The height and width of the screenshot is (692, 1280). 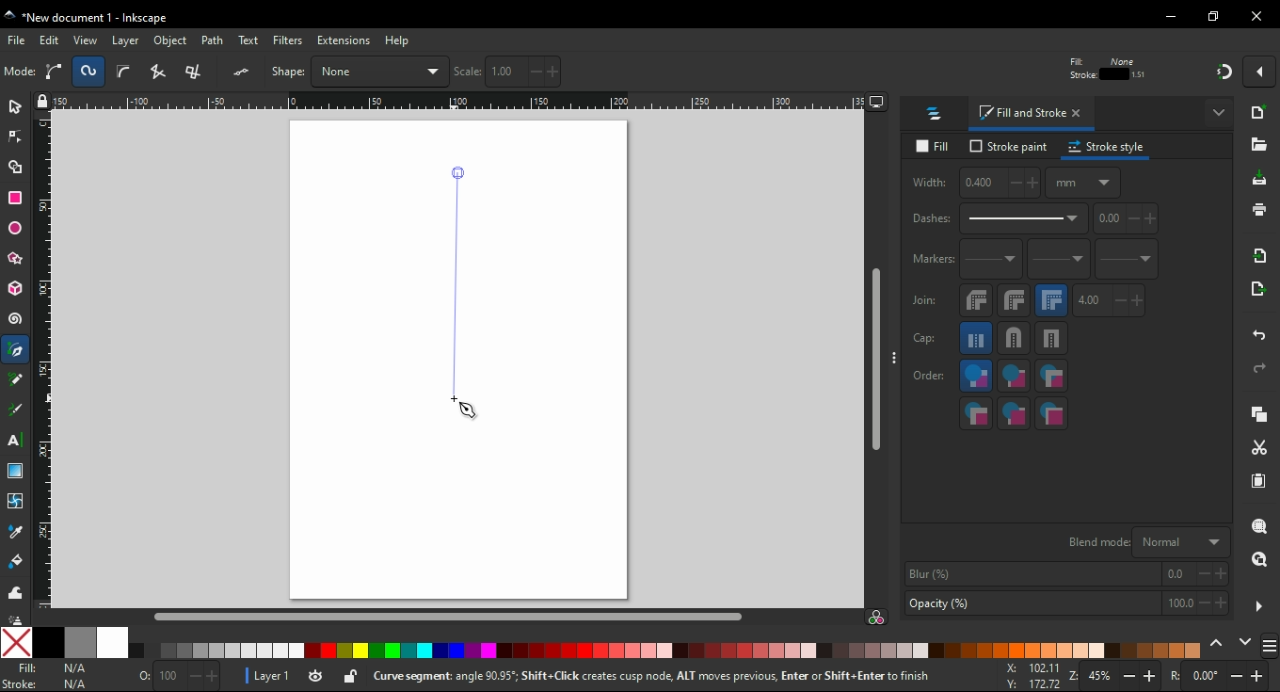 I want to click on round, so click(x=1013, y=338).